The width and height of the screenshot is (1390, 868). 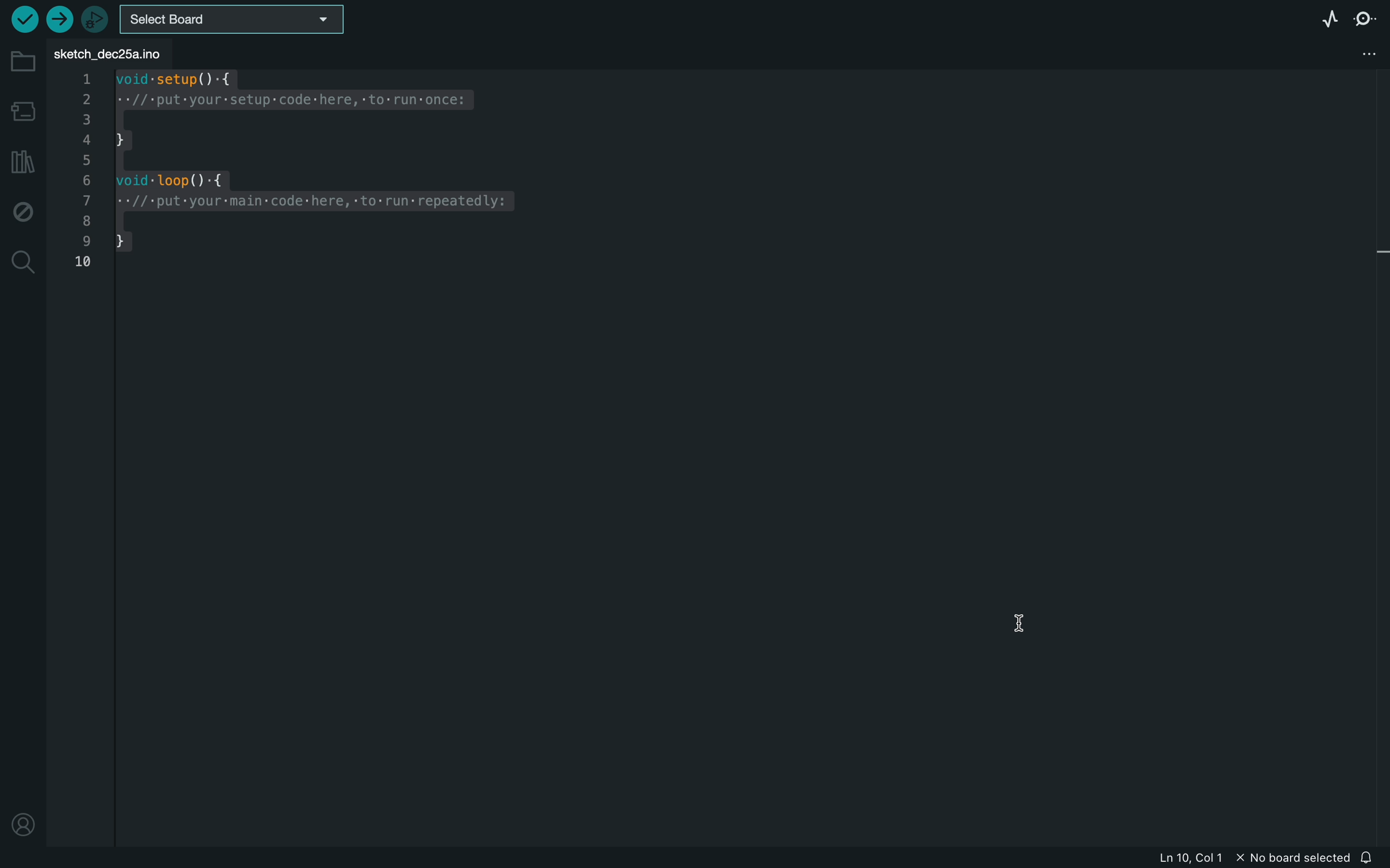 I want to click on verify, so click(x=26, y=20).